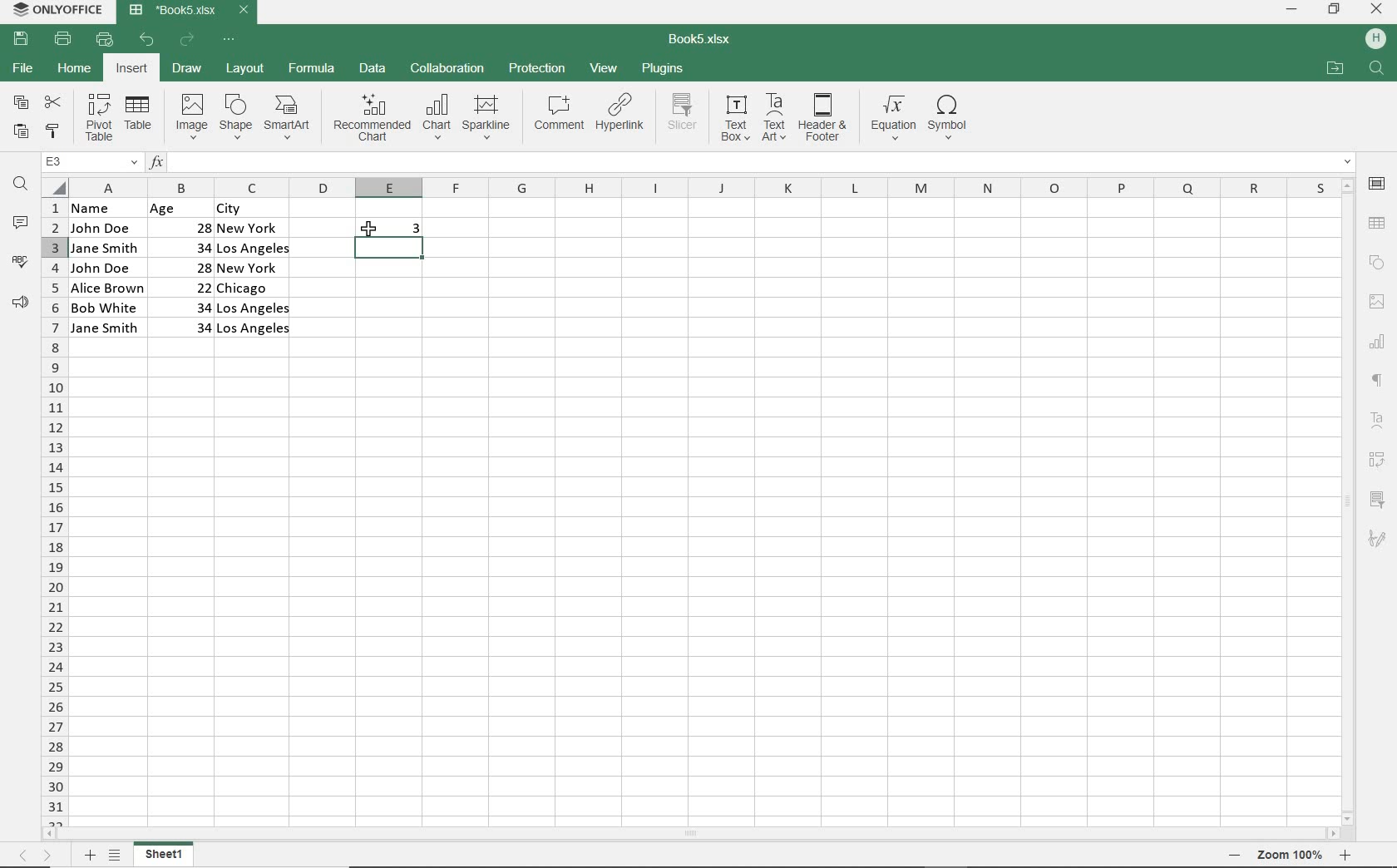  Describe the element at coordinates (147, 40) in the screenshot. I see `UNDO` at that location.